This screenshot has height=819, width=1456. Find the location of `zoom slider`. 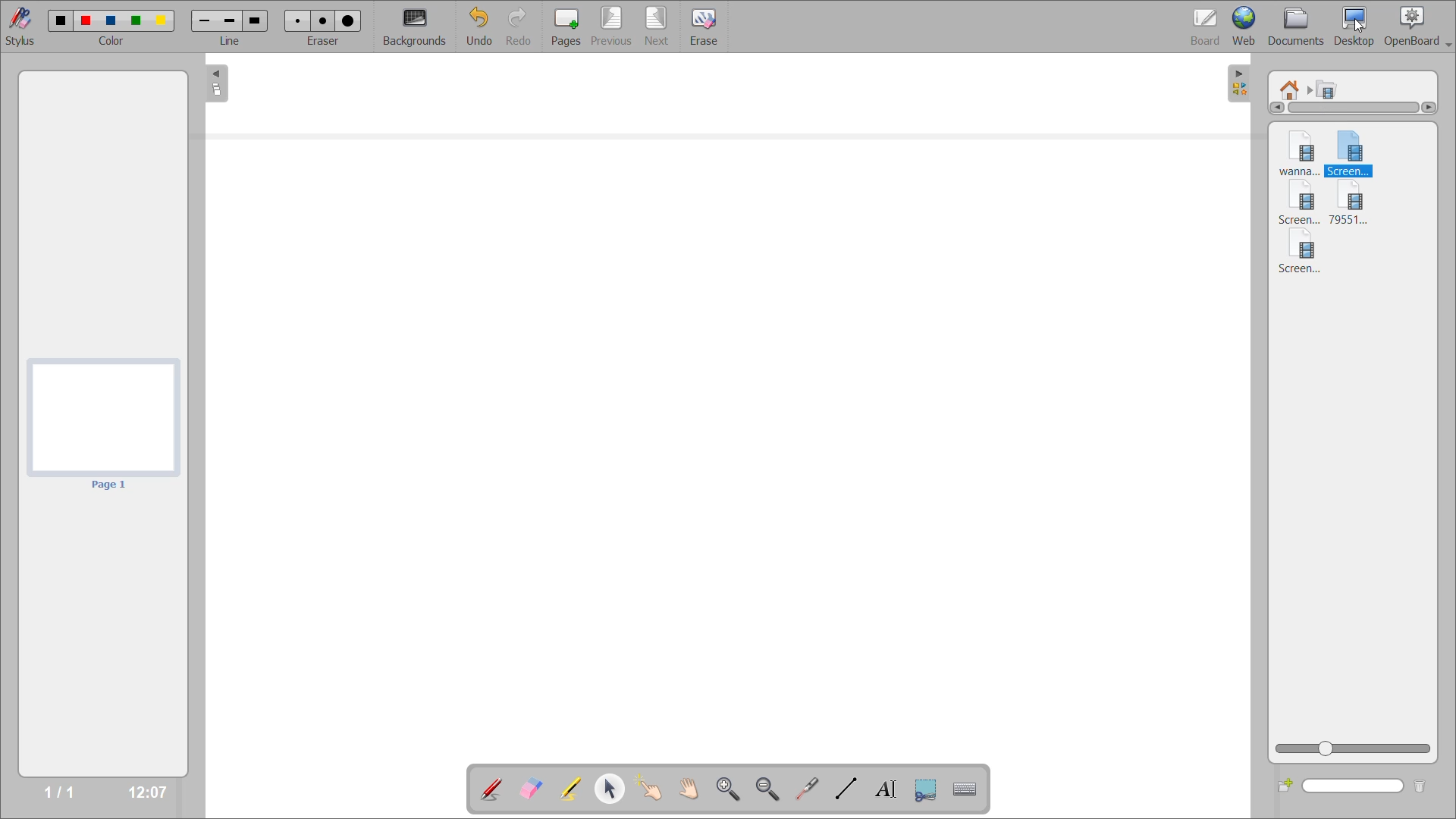

zoom slider is located at coordinates (1356, 748).